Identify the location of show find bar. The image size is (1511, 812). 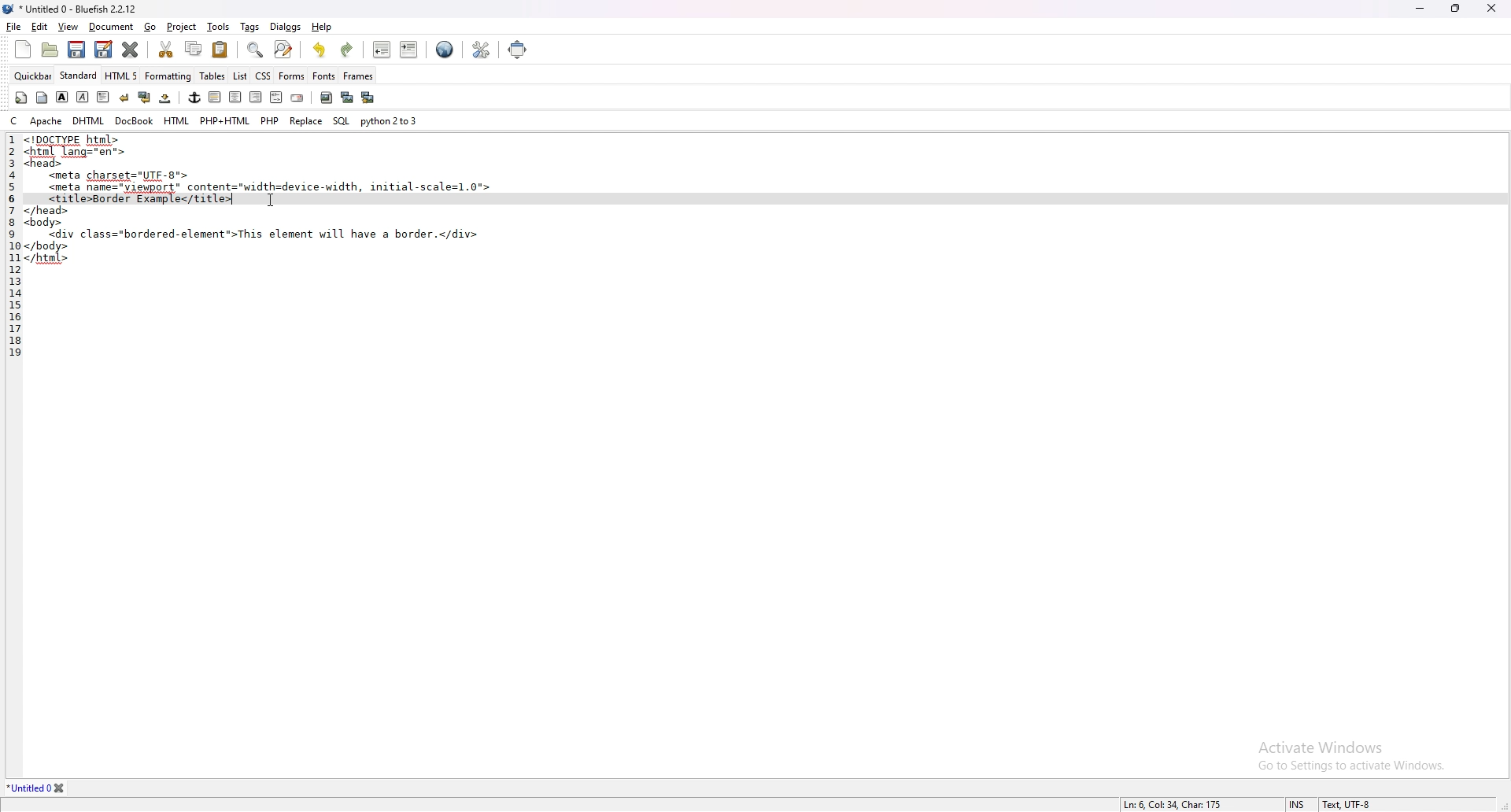
(257, 50).